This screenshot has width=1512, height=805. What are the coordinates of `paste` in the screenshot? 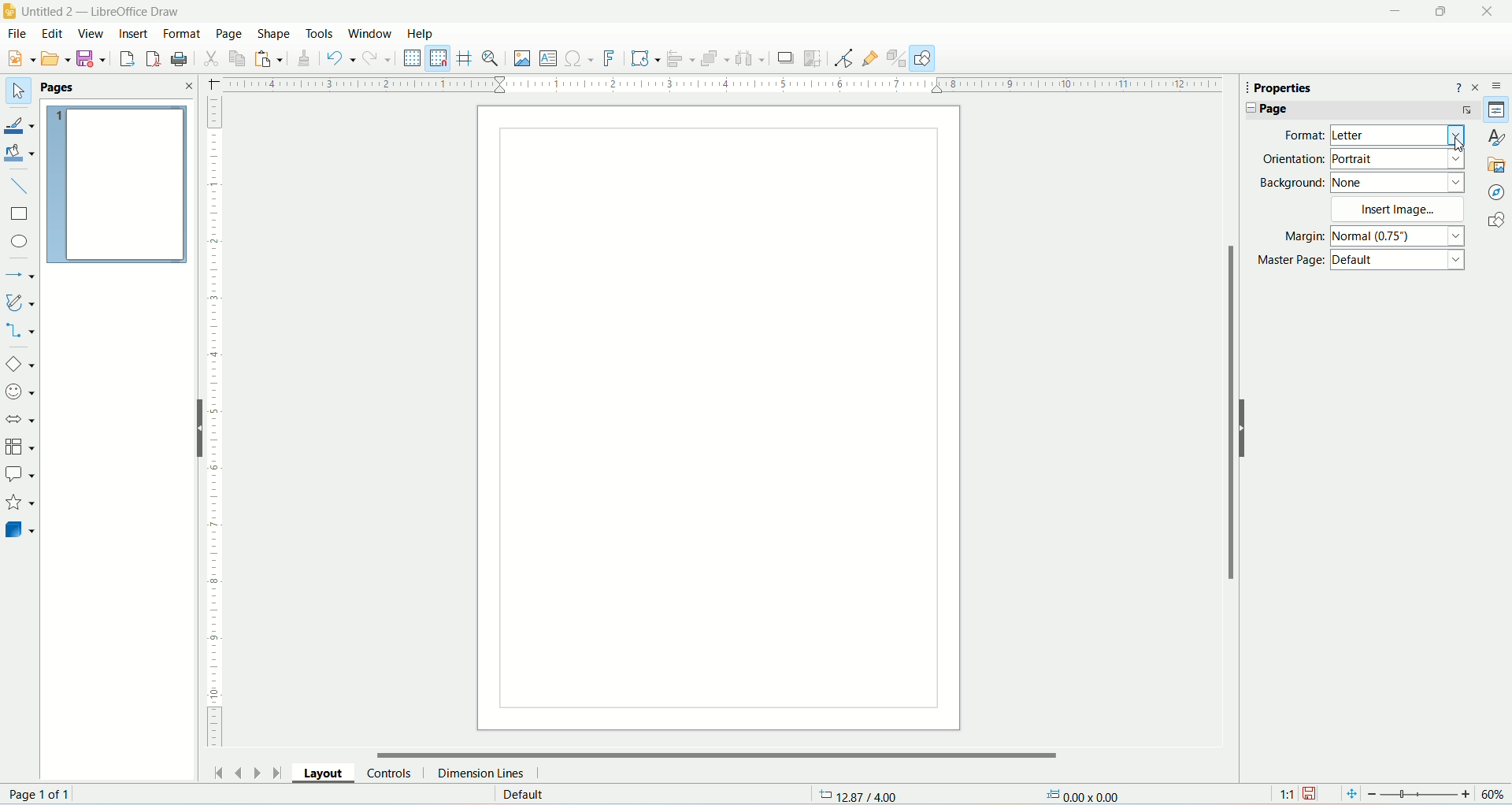 It's located at (272, 59).